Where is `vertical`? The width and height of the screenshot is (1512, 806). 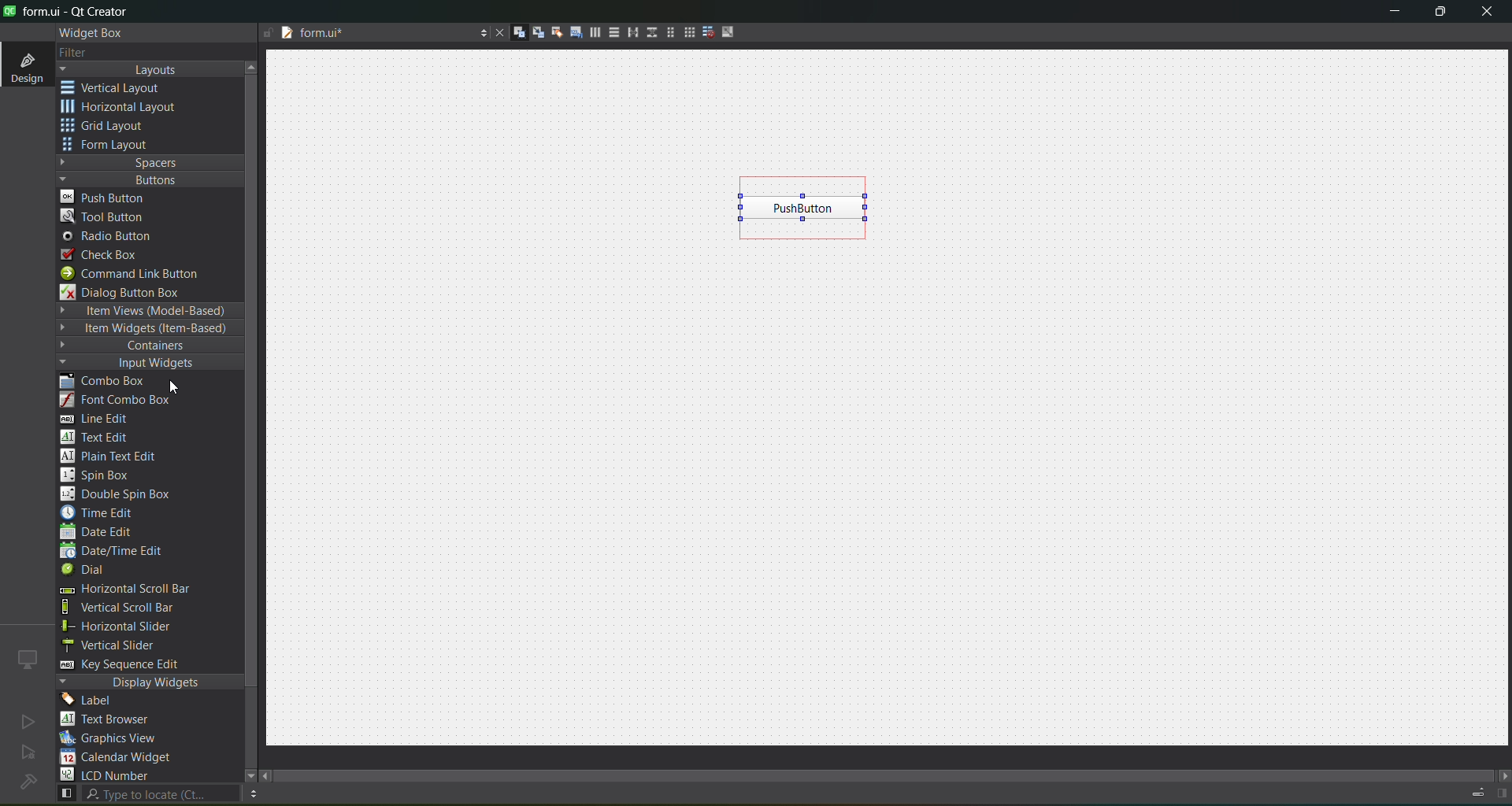 vertical is located at coordinates (122, 88).